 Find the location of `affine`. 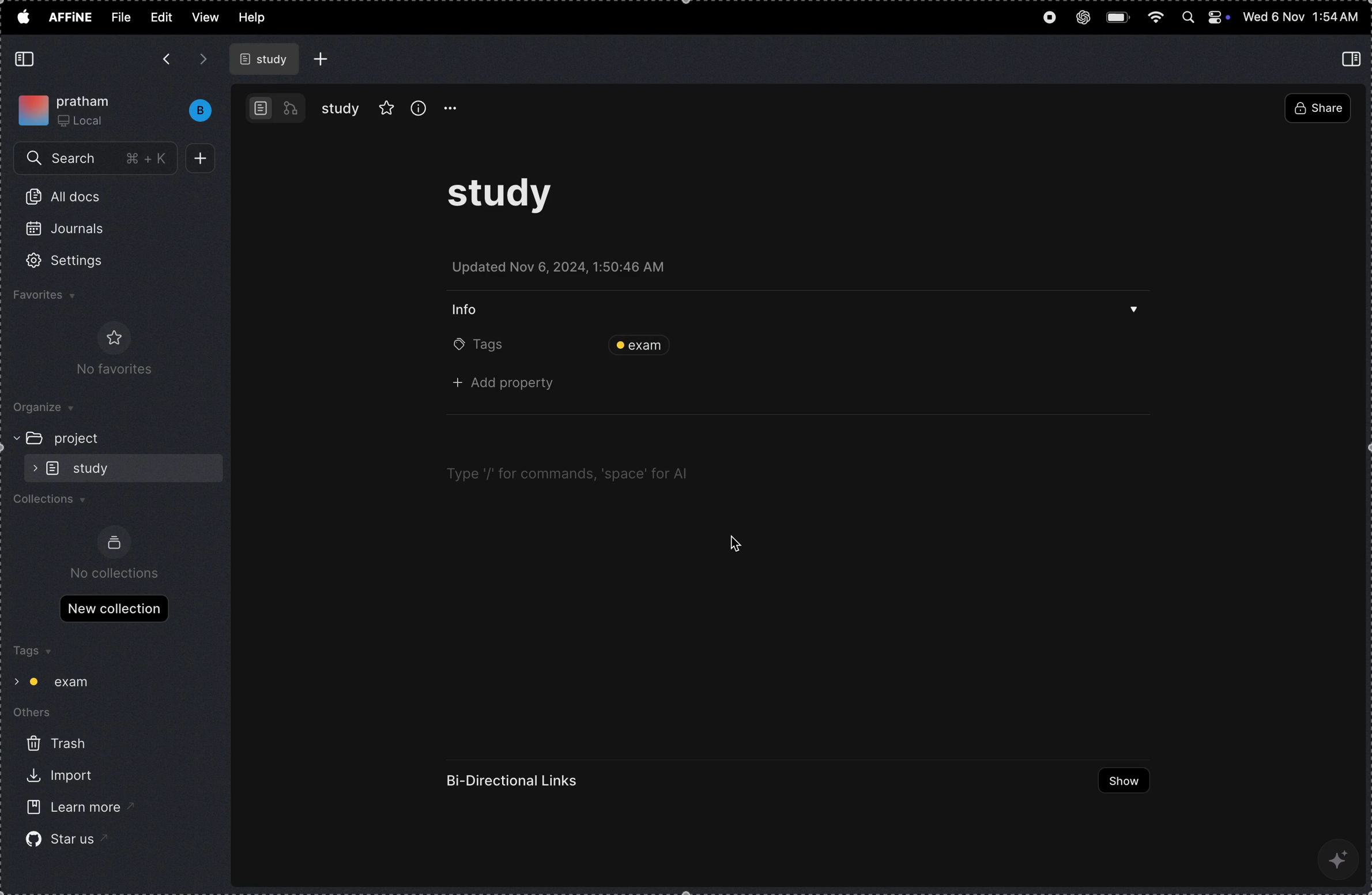

affine is located at coordinates (71, 18).